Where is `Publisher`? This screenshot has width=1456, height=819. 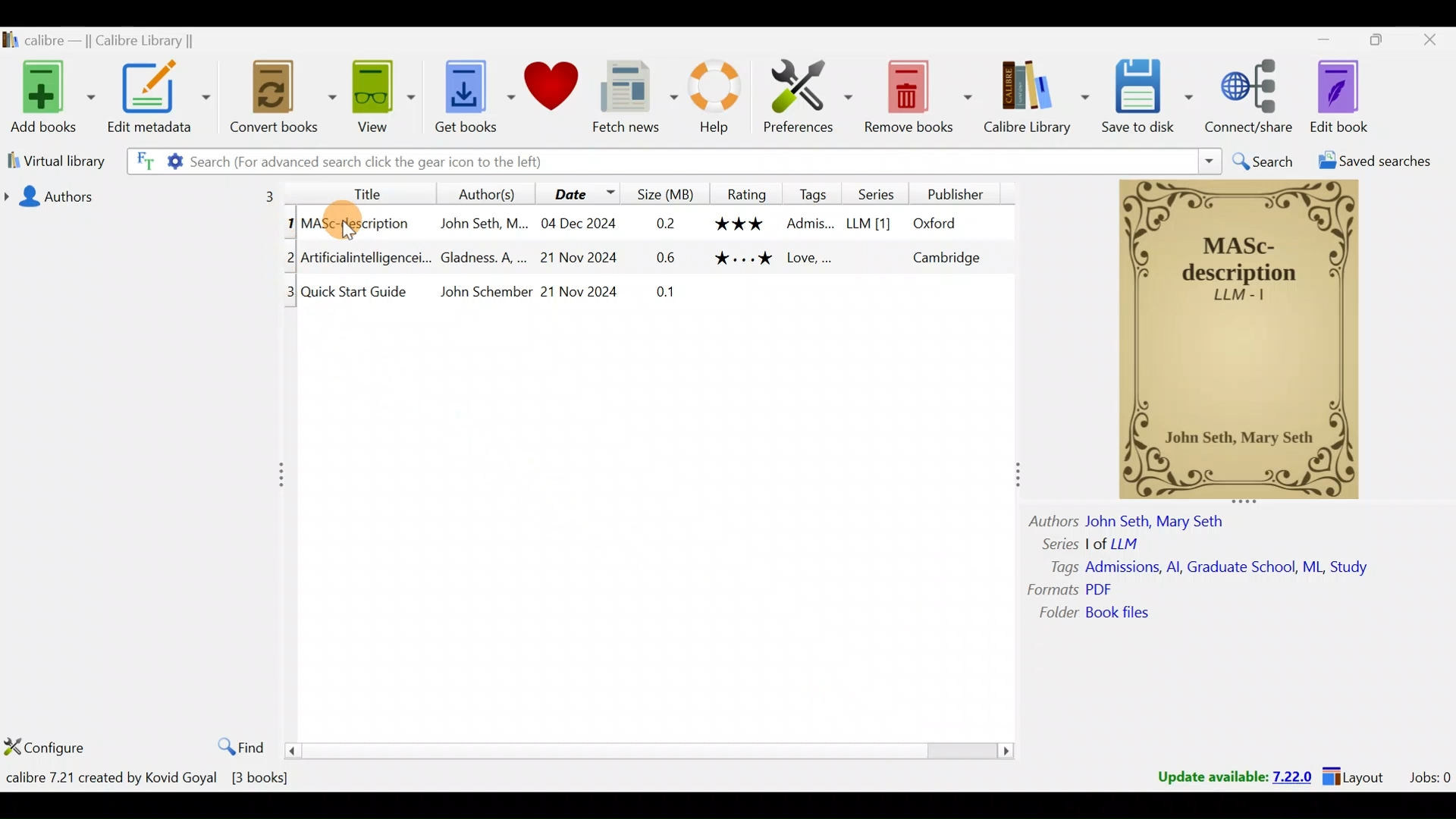
Publisher is located at coordinates (962, 192).